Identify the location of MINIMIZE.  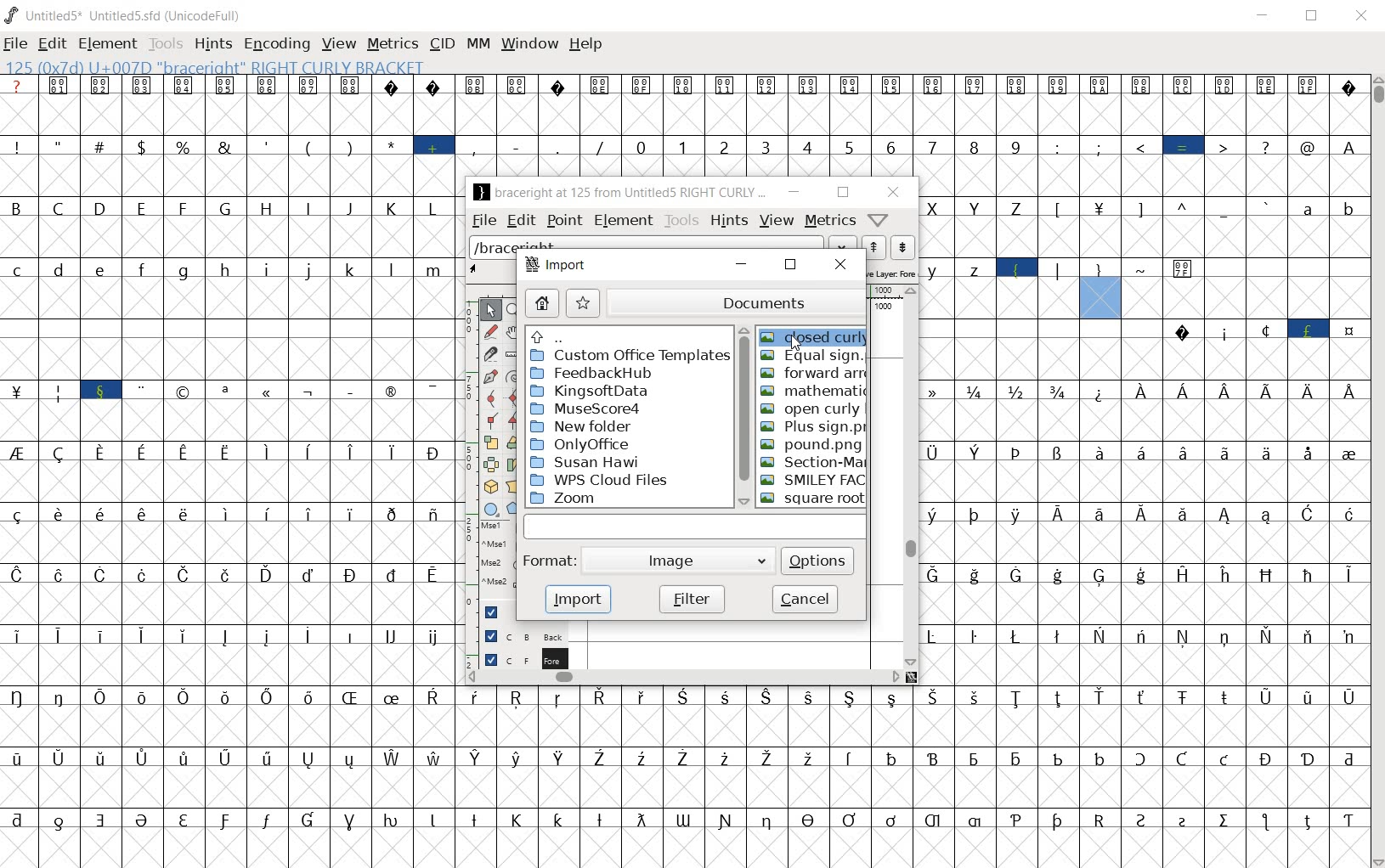
(1264, 15).